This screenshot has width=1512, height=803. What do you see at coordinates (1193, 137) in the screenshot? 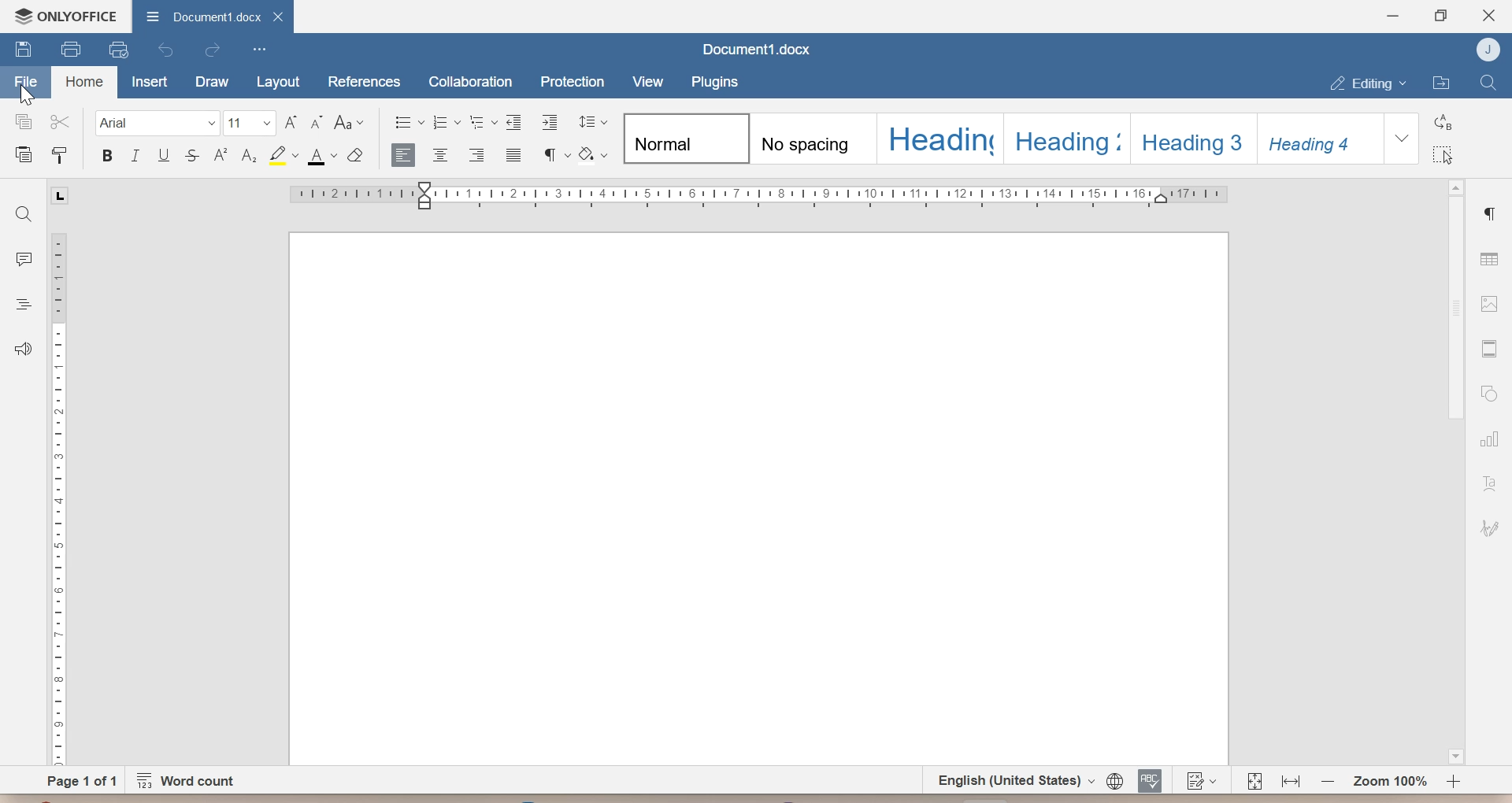
I see `Heading 3` at bounding box center [1193, 137].